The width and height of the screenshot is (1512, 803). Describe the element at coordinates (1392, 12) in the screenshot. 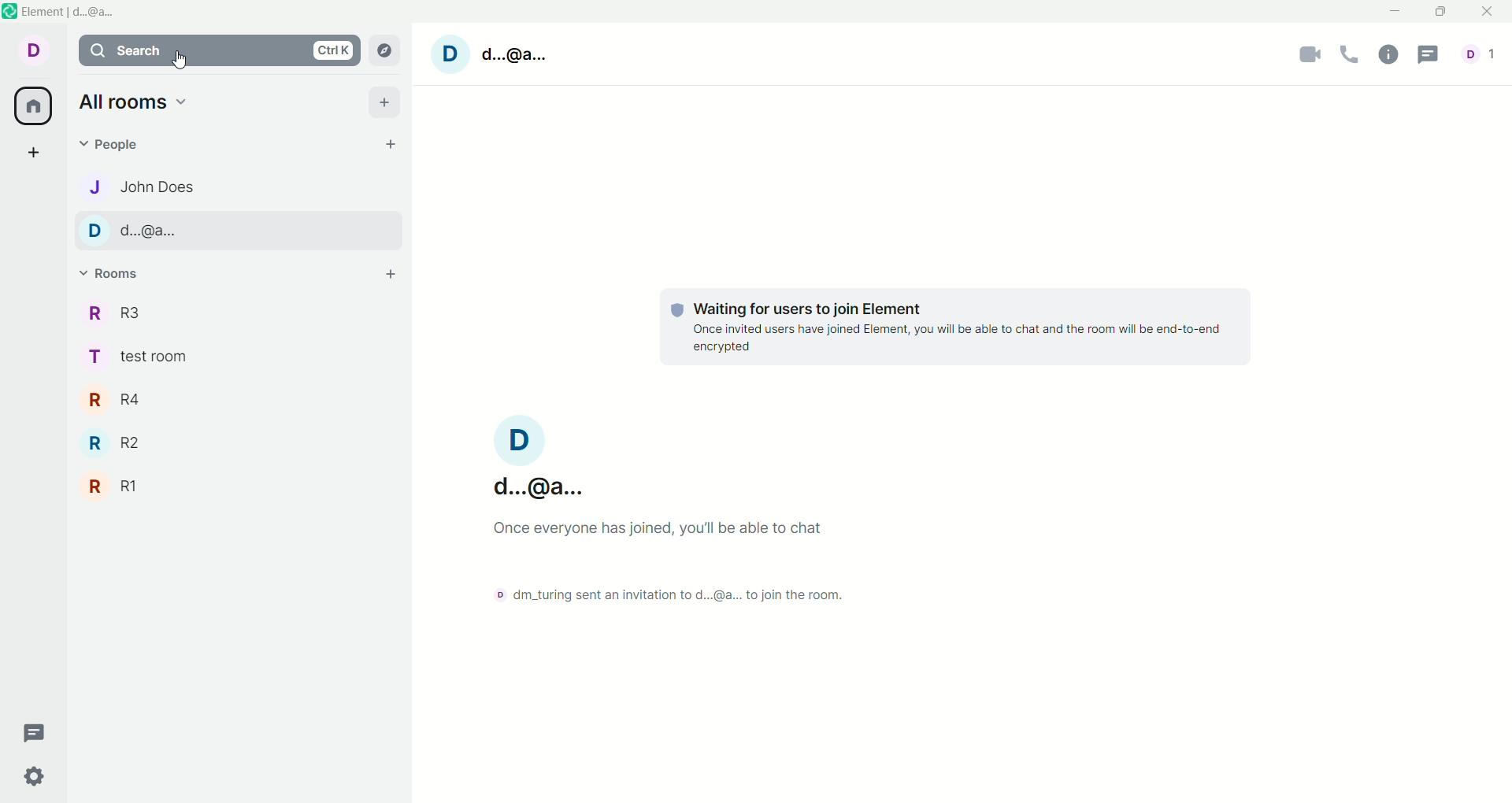

I see `minimize` at that location.